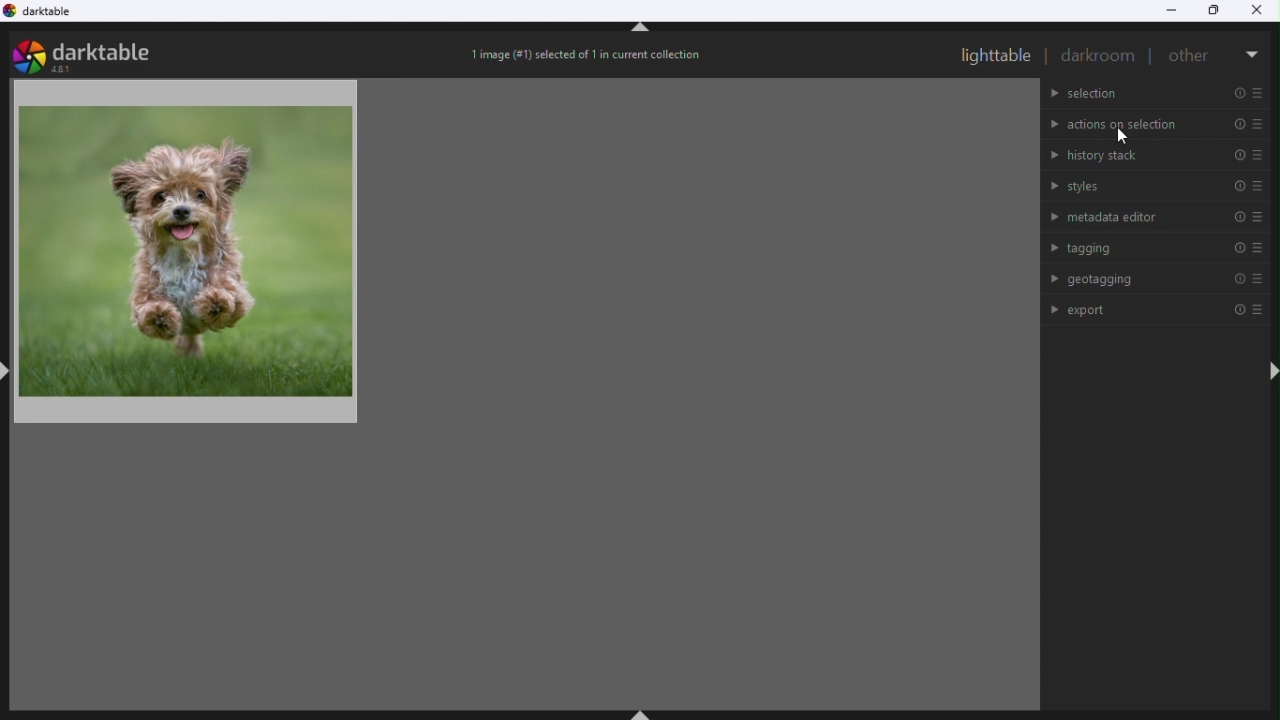 This screenshot has height=720, width=1280. Describe the element at coordinates (644, 712) in the screenshot. I see `shift+ctrl+b` at that location.